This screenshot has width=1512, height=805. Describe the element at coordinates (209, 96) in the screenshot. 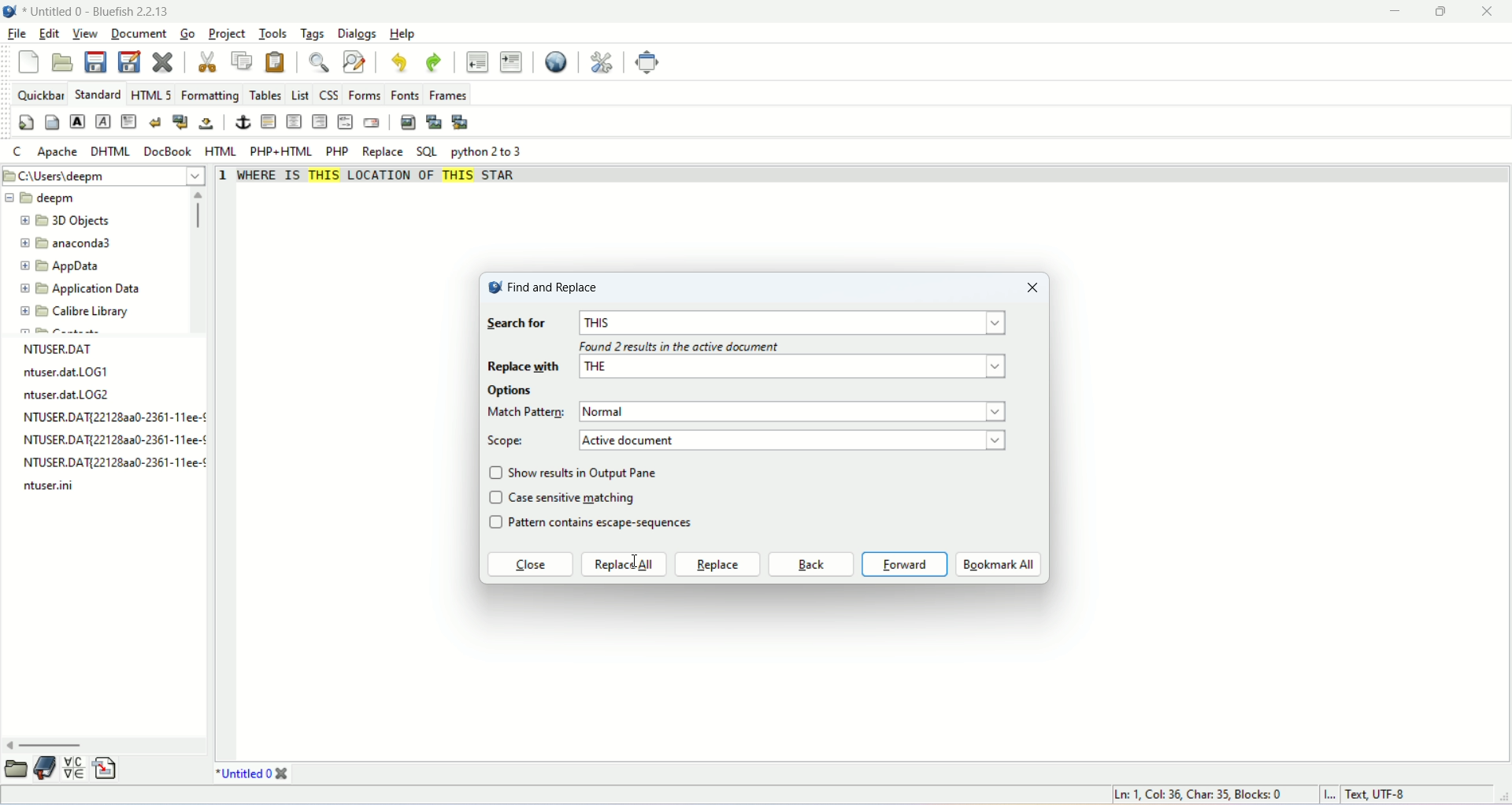

I see `formatting` at that location.